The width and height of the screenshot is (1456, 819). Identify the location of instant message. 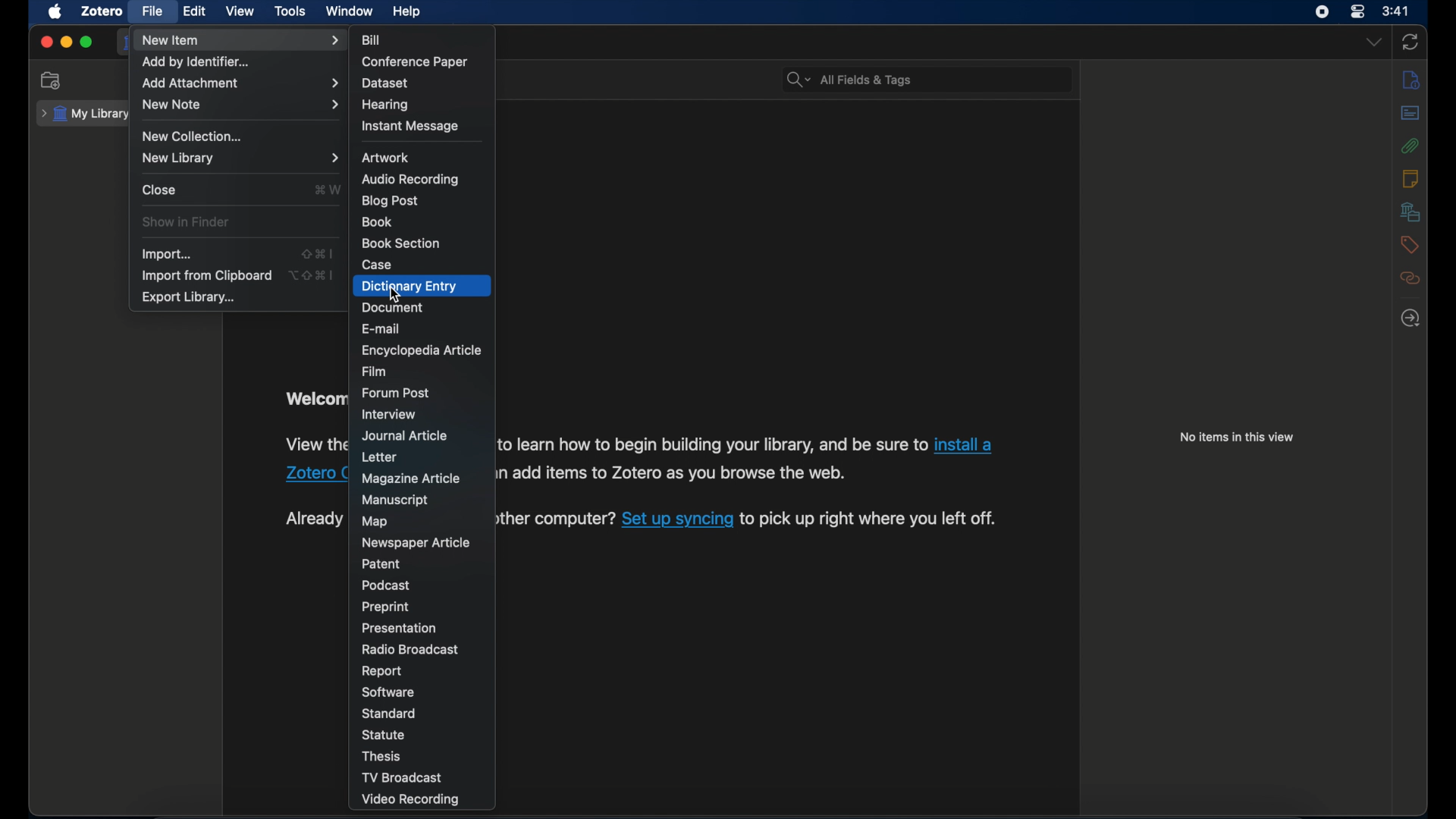
(409, 127).